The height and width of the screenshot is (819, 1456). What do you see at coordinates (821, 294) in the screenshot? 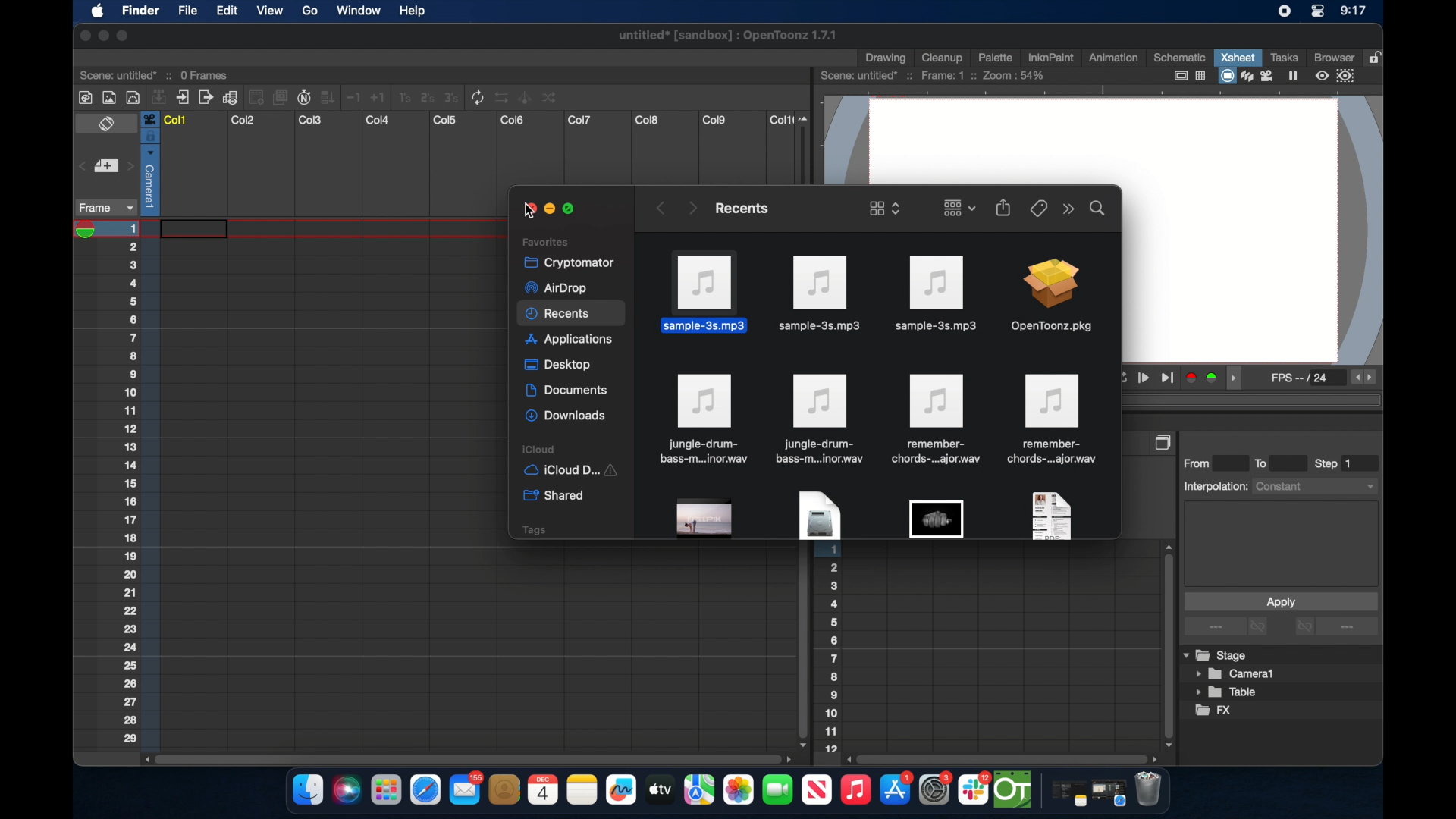
I see `mp3 icon` at bounding box center [821, 294].